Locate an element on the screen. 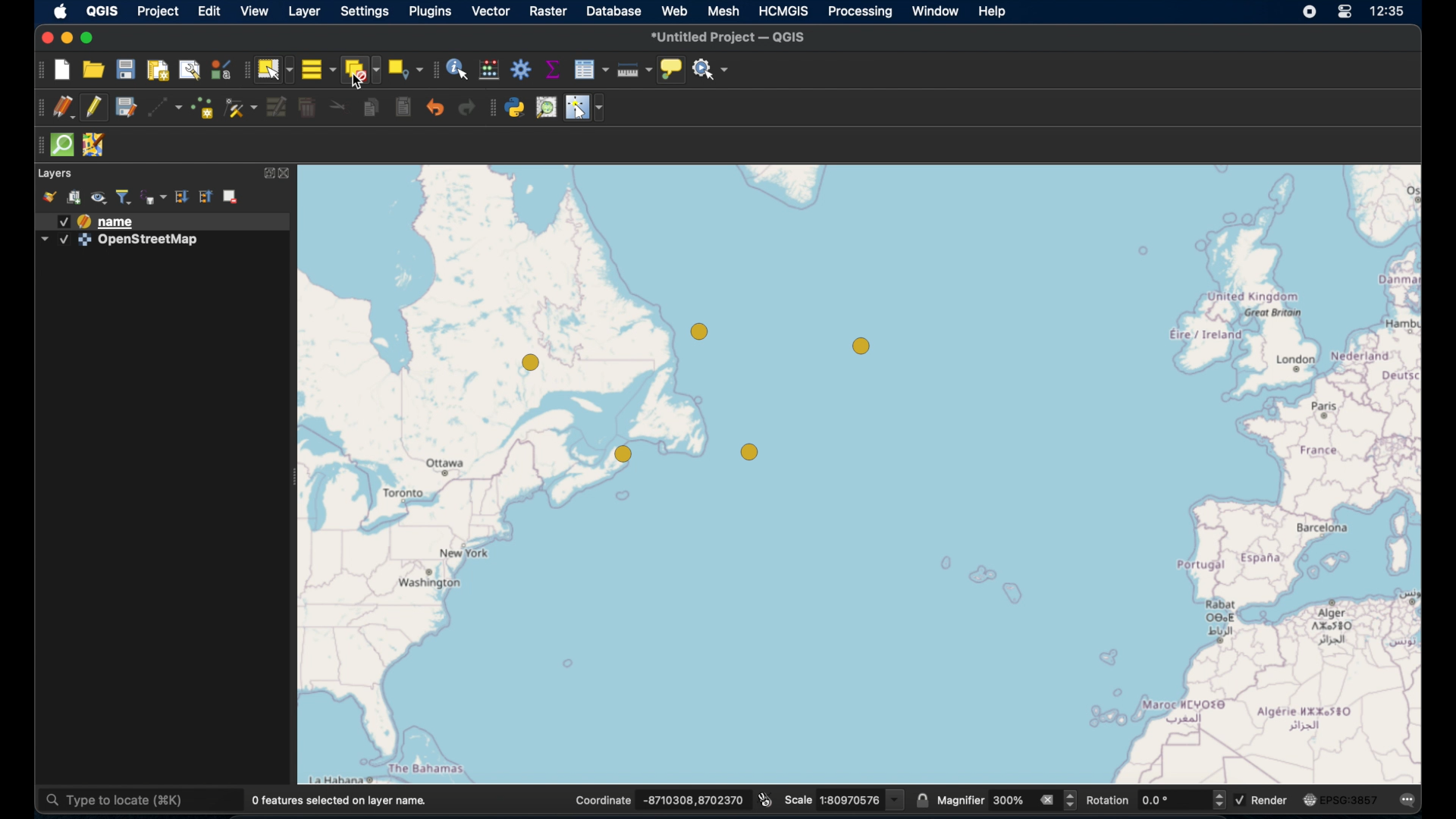  open attributes toolbar is located at coordinates (591, 69).